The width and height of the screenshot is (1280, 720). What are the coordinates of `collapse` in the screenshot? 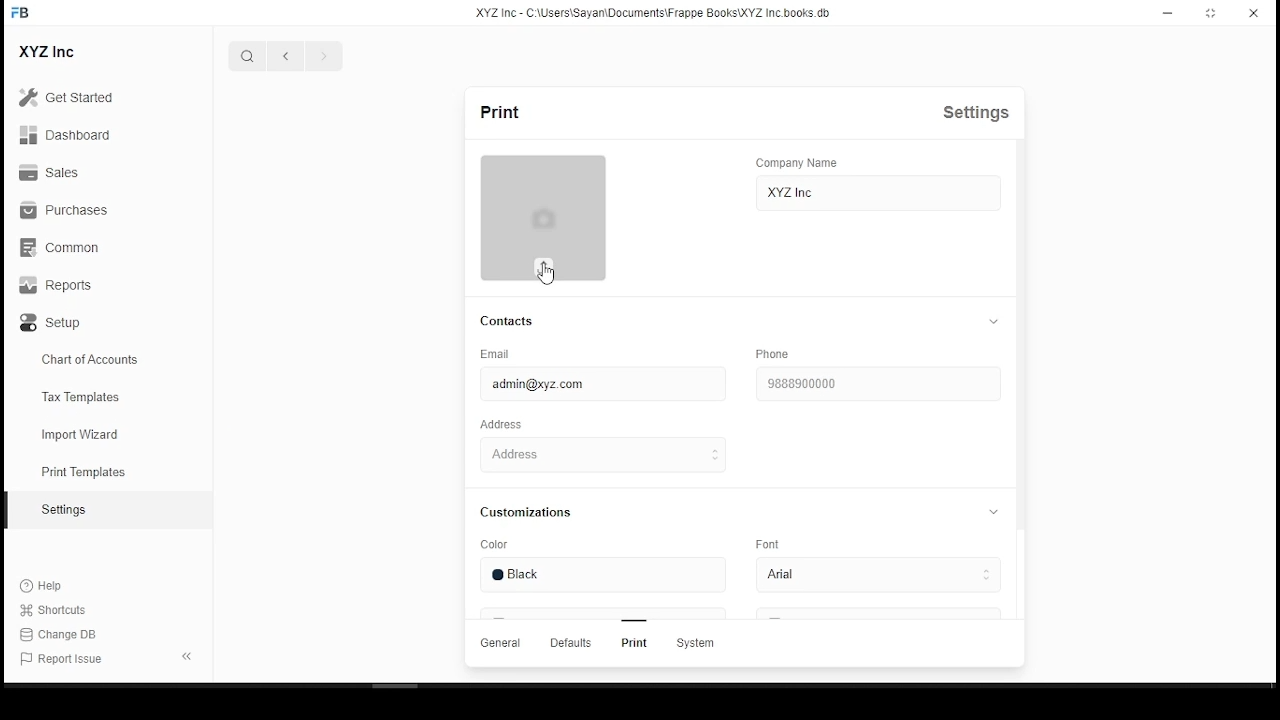 It's located at (994, 321).